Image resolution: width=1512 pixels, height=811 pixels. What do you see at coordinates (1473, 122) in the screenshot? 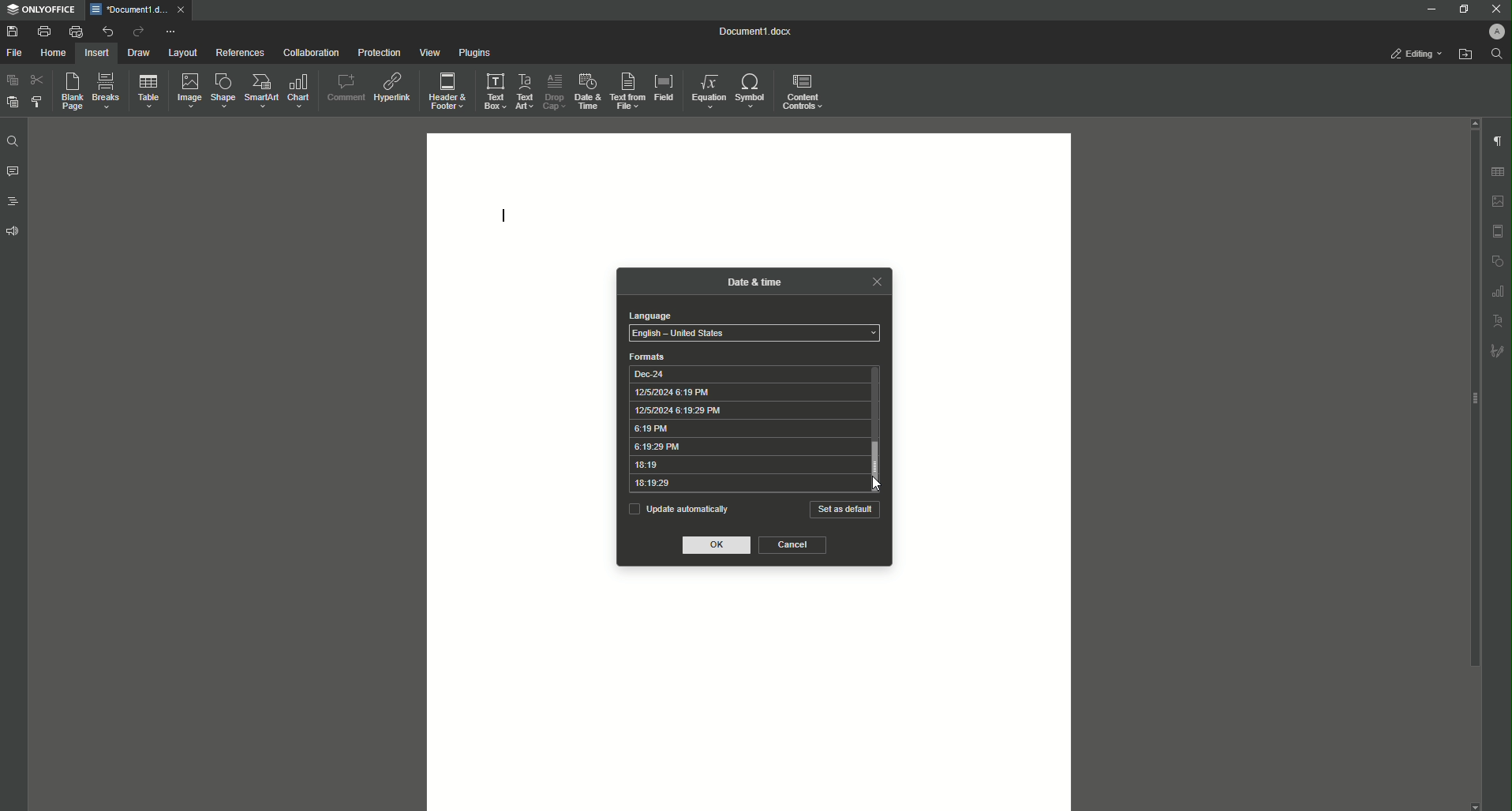
I see `scroll up` at bounding box center [1473, 122].